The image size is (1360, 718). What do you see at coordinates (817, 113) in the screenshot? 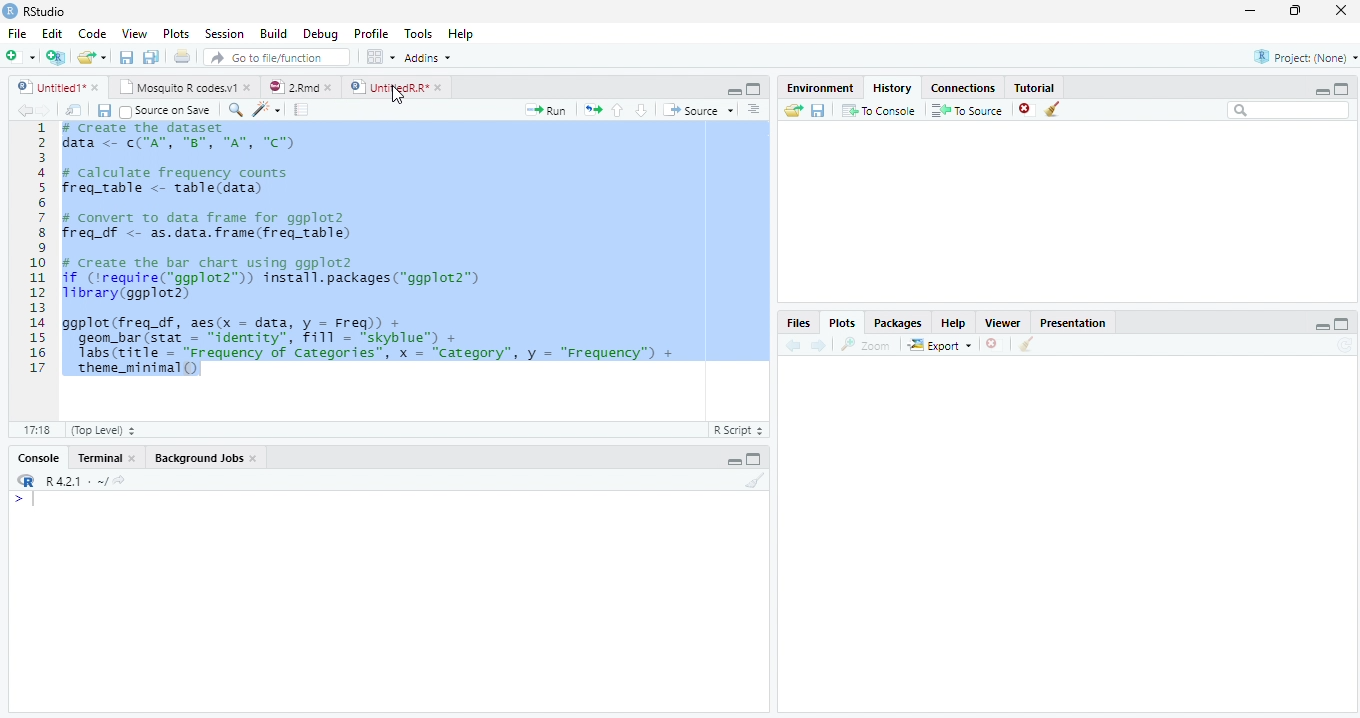
I see `Save` at bounding box center [817, 113].